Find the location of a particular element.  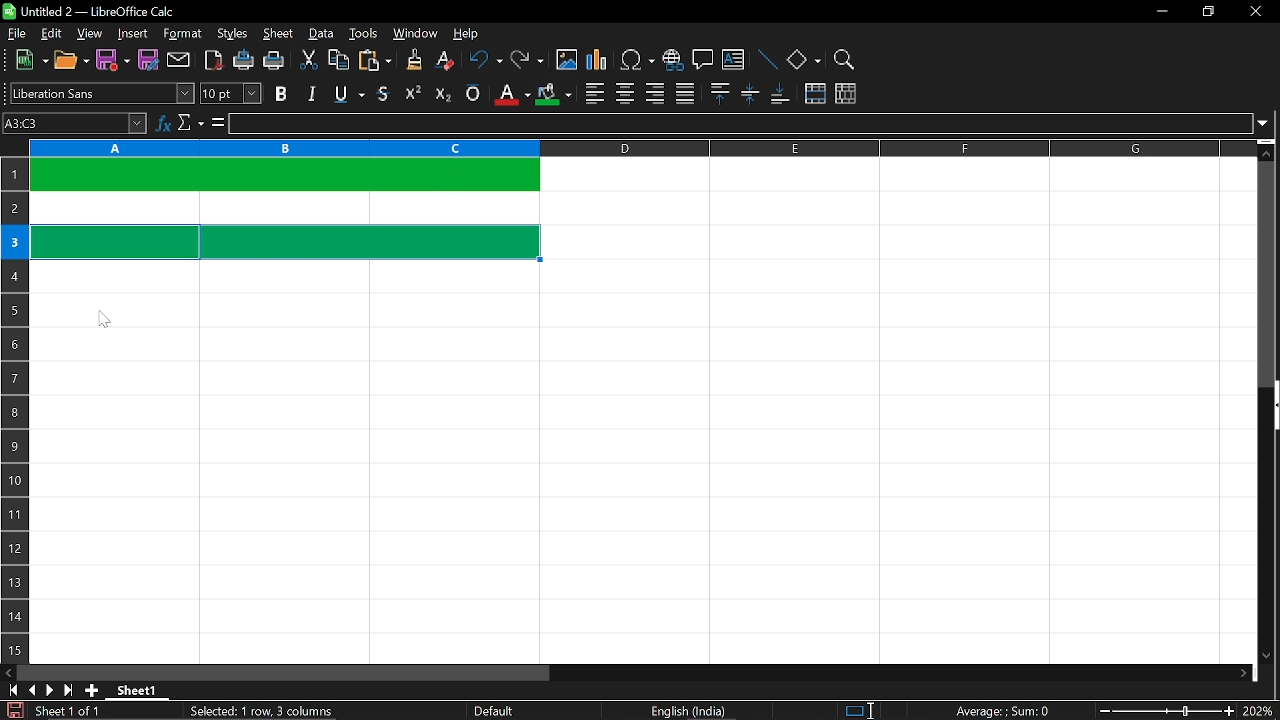

file is located at coordinates (17, 33).